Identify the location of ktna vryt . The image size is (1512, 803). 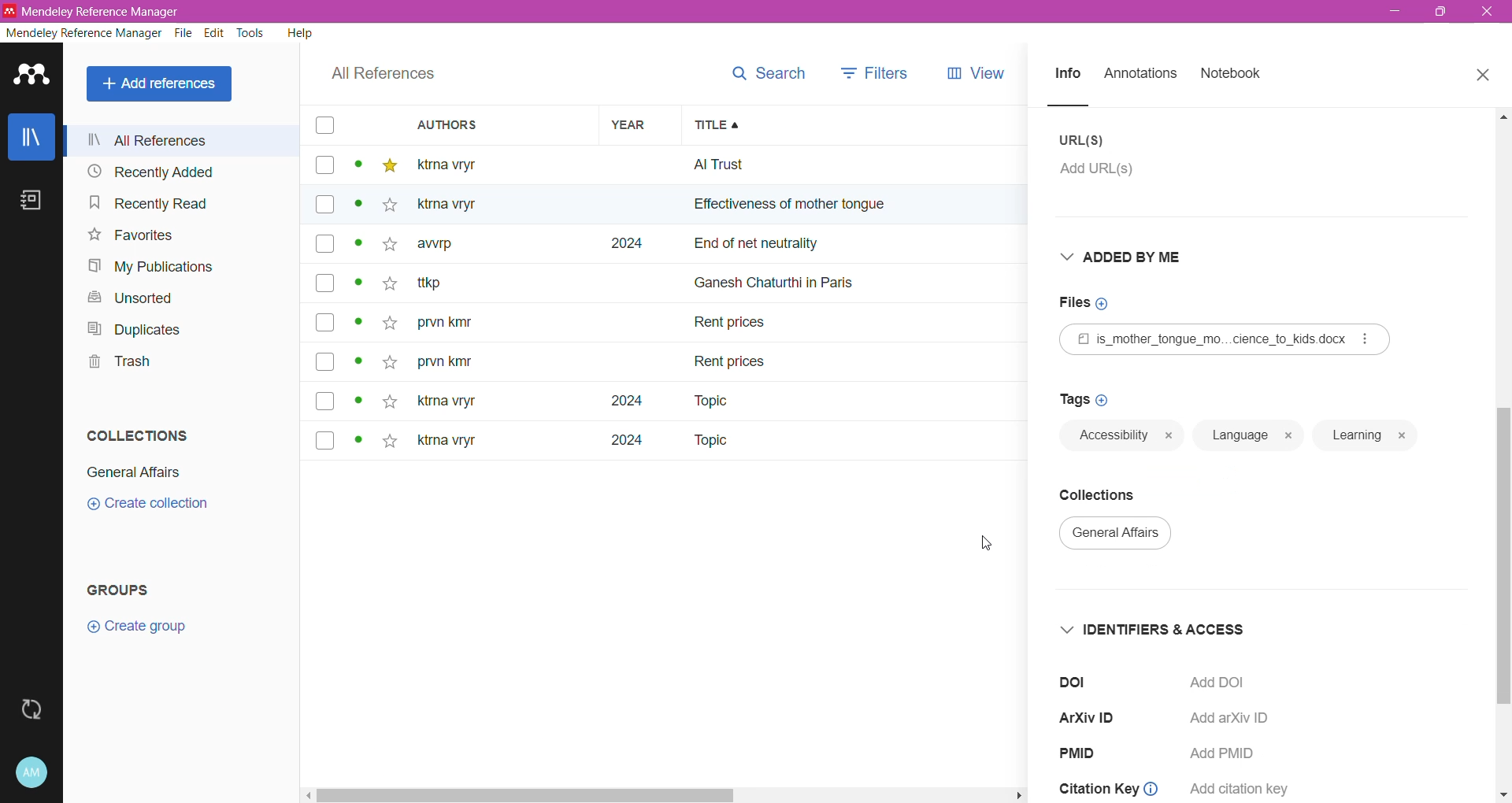
(443, 402).